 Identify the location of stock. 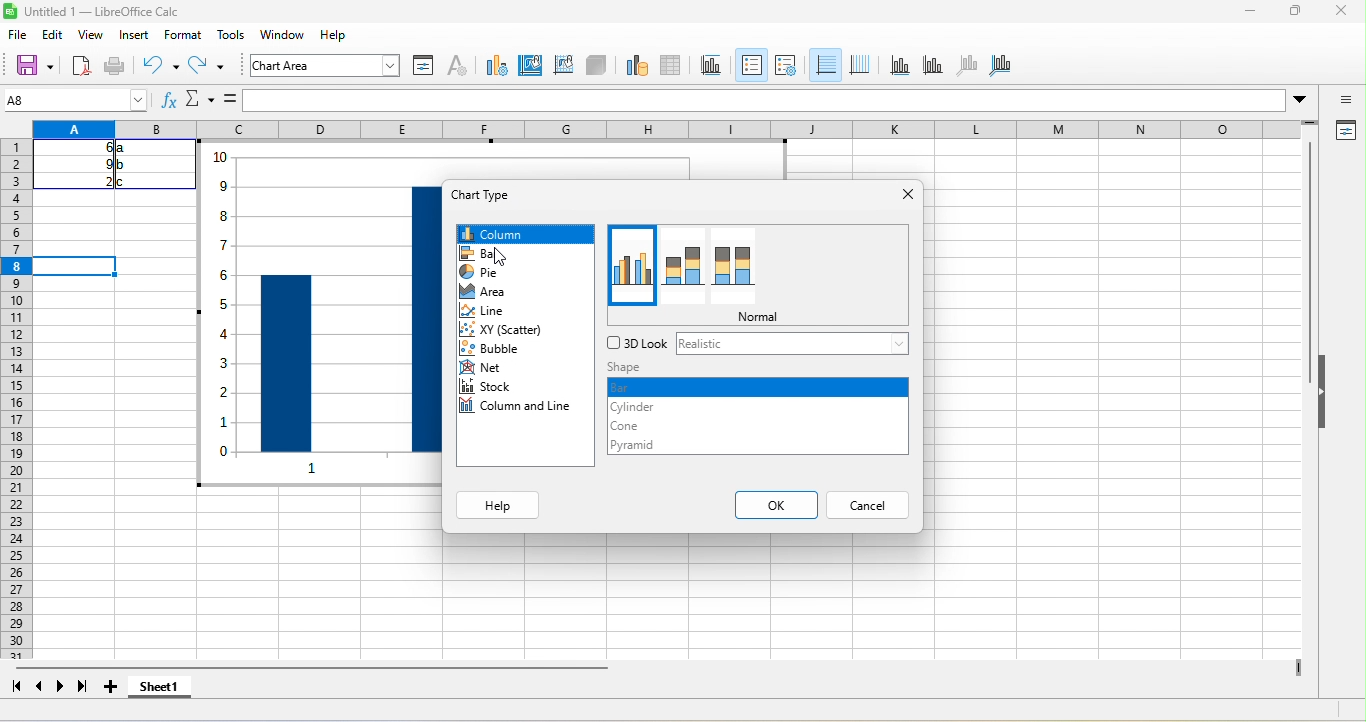
(496, 387).